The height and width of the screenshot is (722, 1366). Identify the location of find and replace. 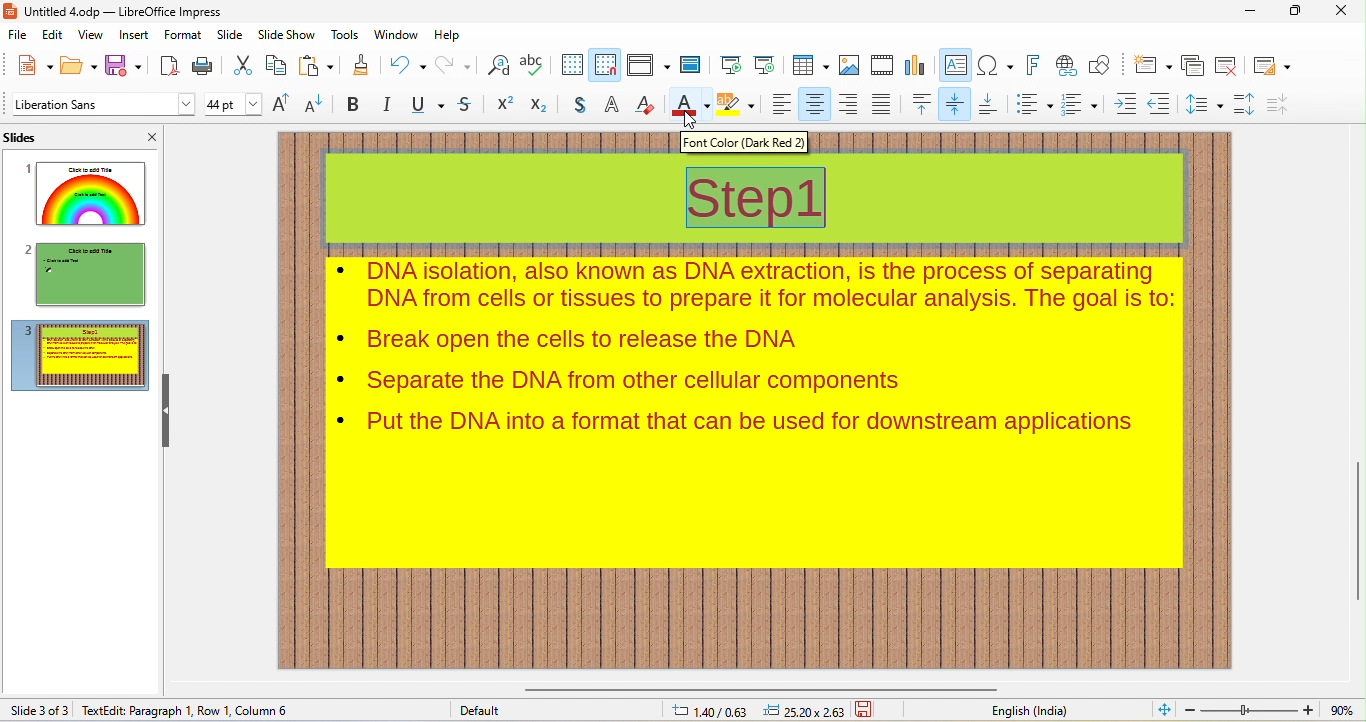
(499, 65).